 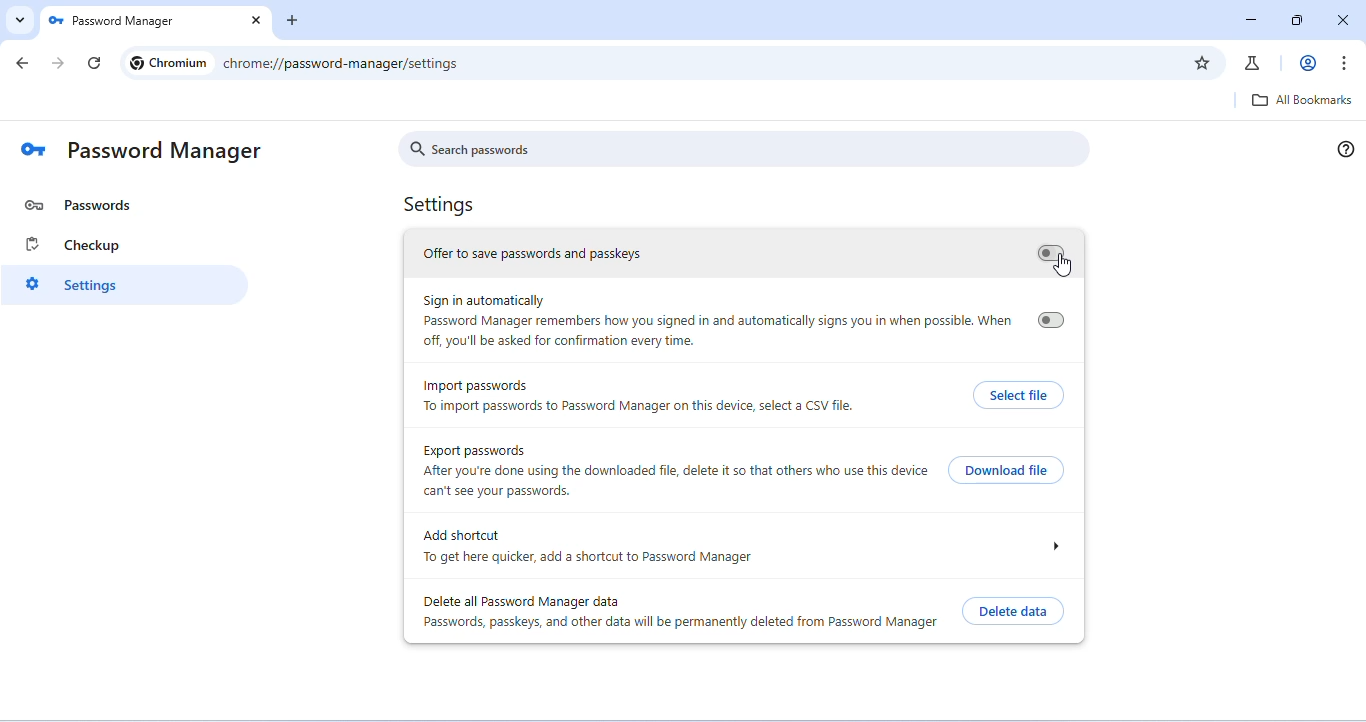 What do you see at coordinates (671, 482) in the screenshot?
I see `After you're done using the downloaded file, delete it so that others who use this device
can't see your passwords.` at bounding box center [671, 482].